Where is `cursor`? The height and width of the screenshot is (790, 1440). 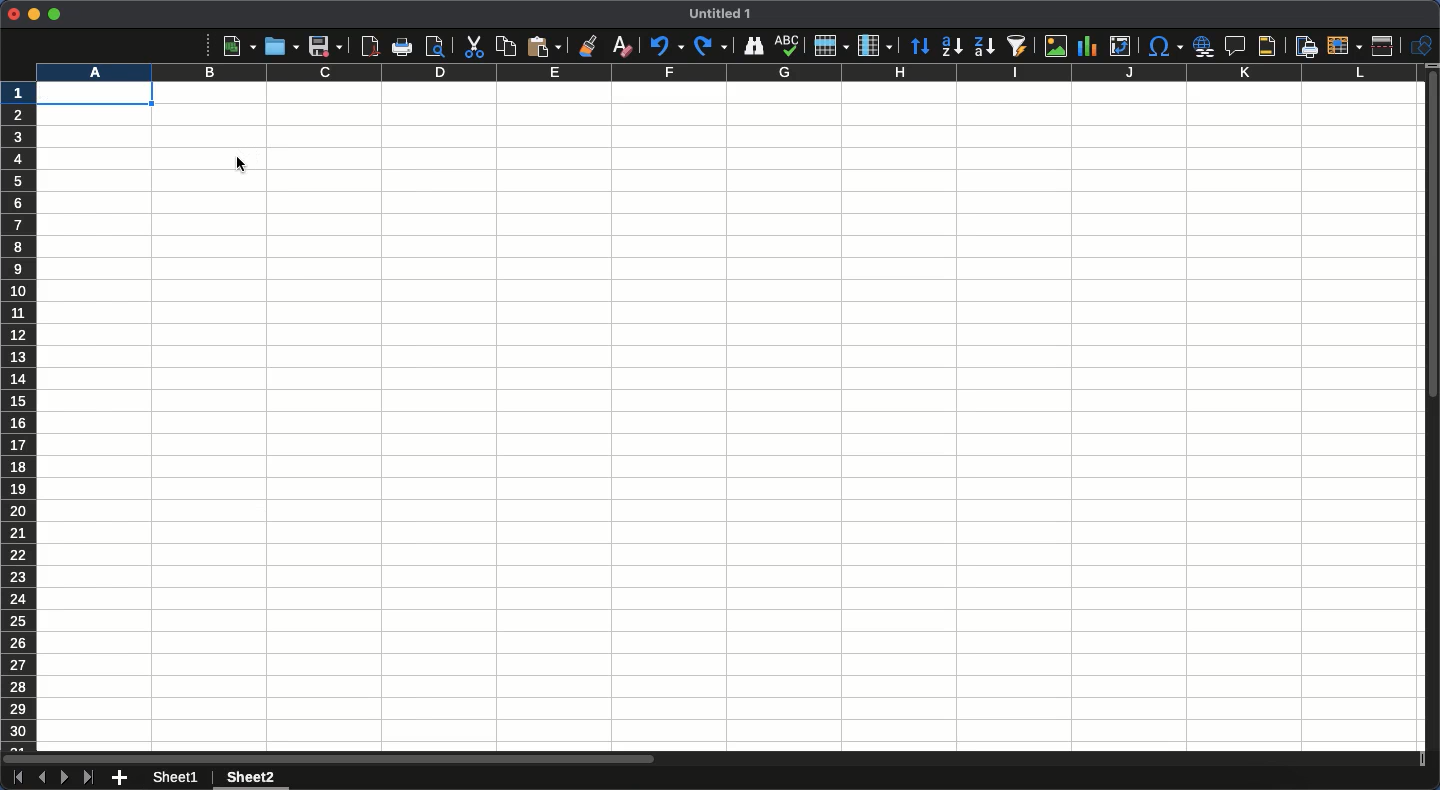 cursor is located at coordinates (238, 165).